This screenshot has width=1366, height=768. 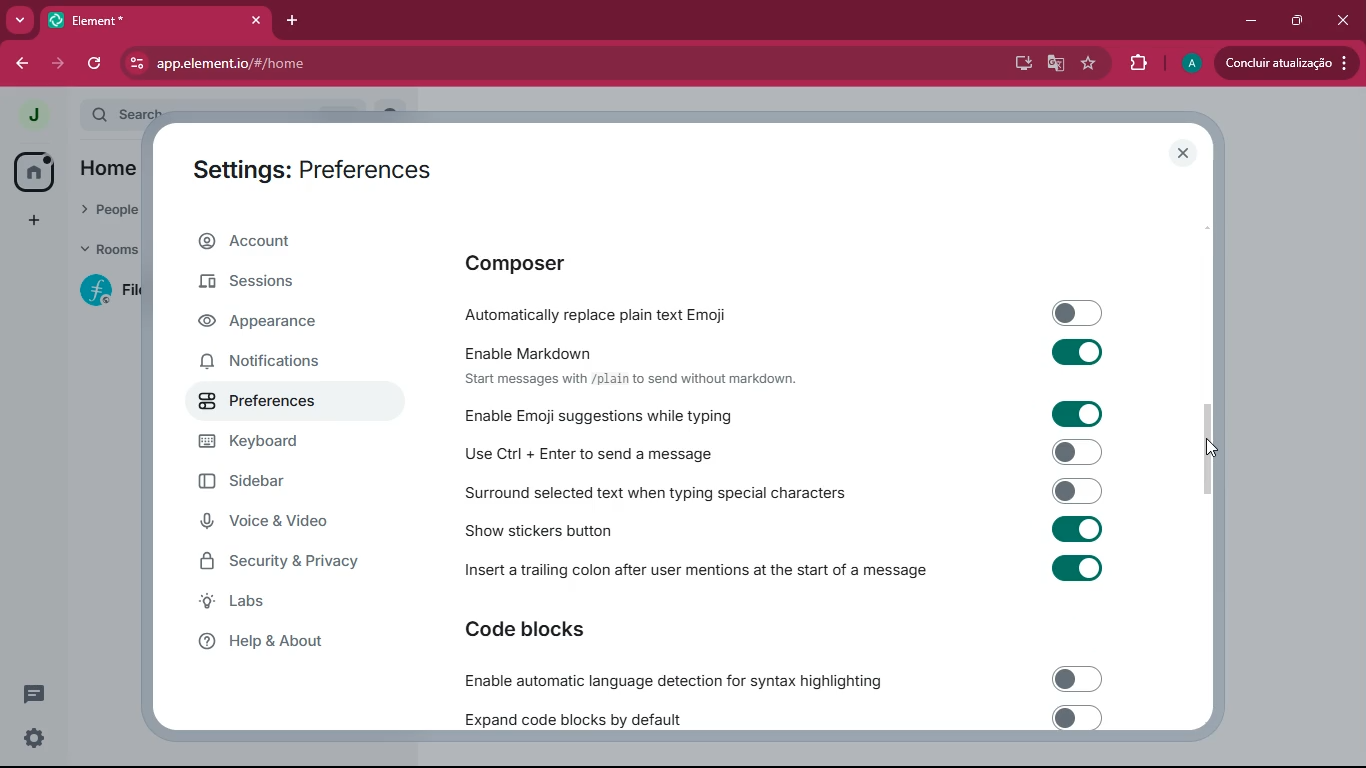 I want to click on notifications, so click(x=271, y=364).